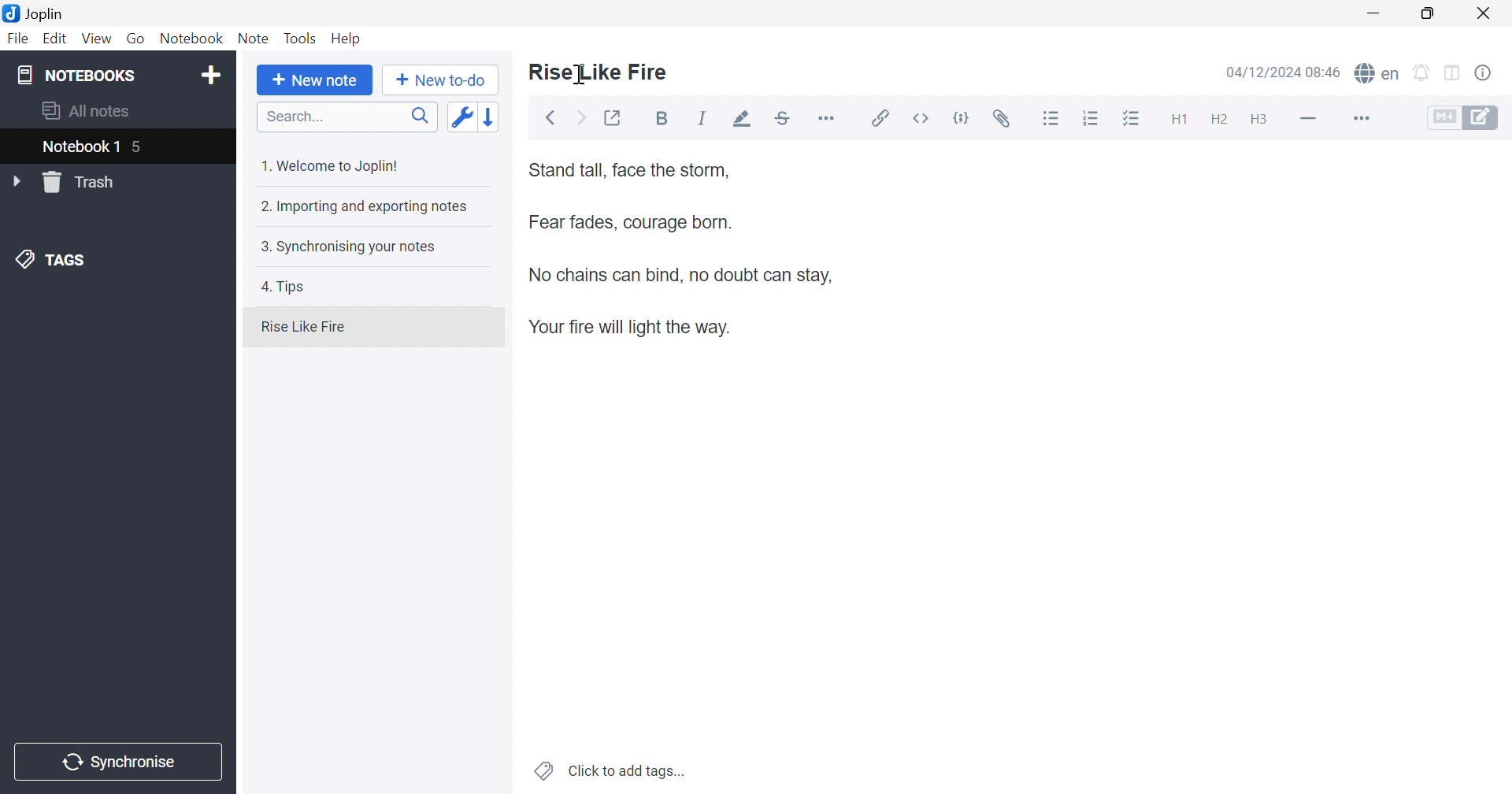 This screenshot has width=1512, height=794. What do you see at coordinates (1053, 121) in the screenshot?
I see `Bulleted list` at bounding box center [1053, 121].